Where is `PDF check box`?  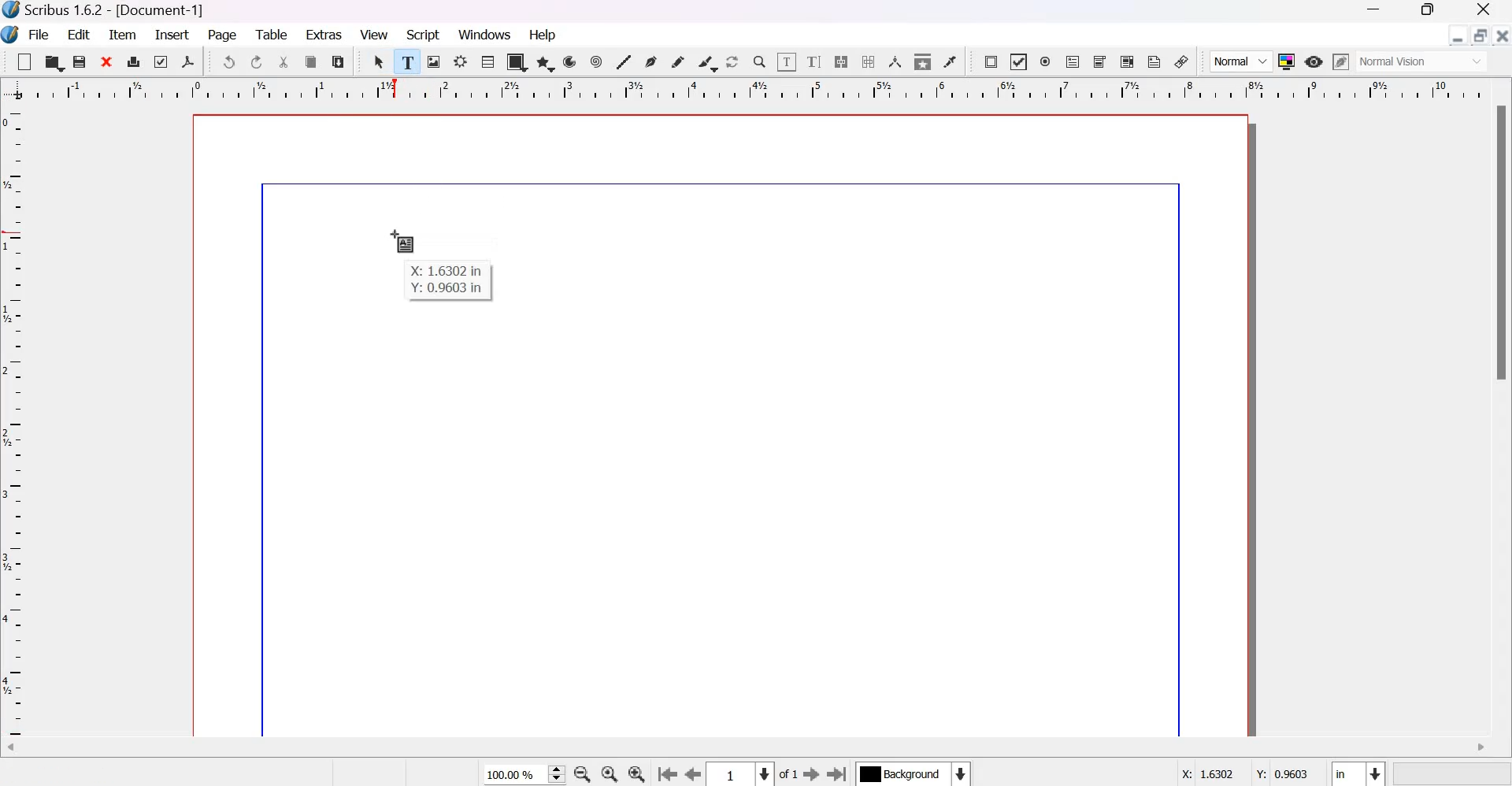 PDF check box is located at coordinates (1017, 62).